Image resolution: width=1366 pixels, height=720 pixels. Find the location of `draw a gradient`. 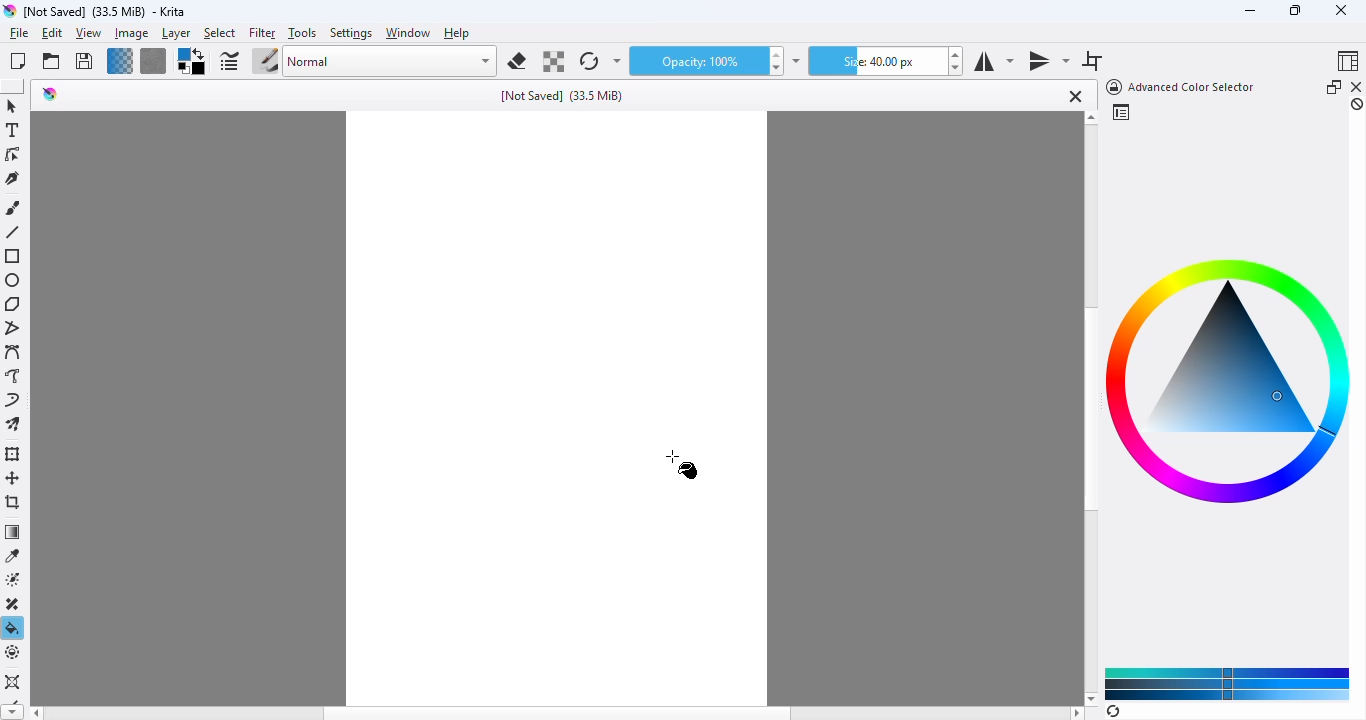

draw a gradient is located at coordinates (13, 531).